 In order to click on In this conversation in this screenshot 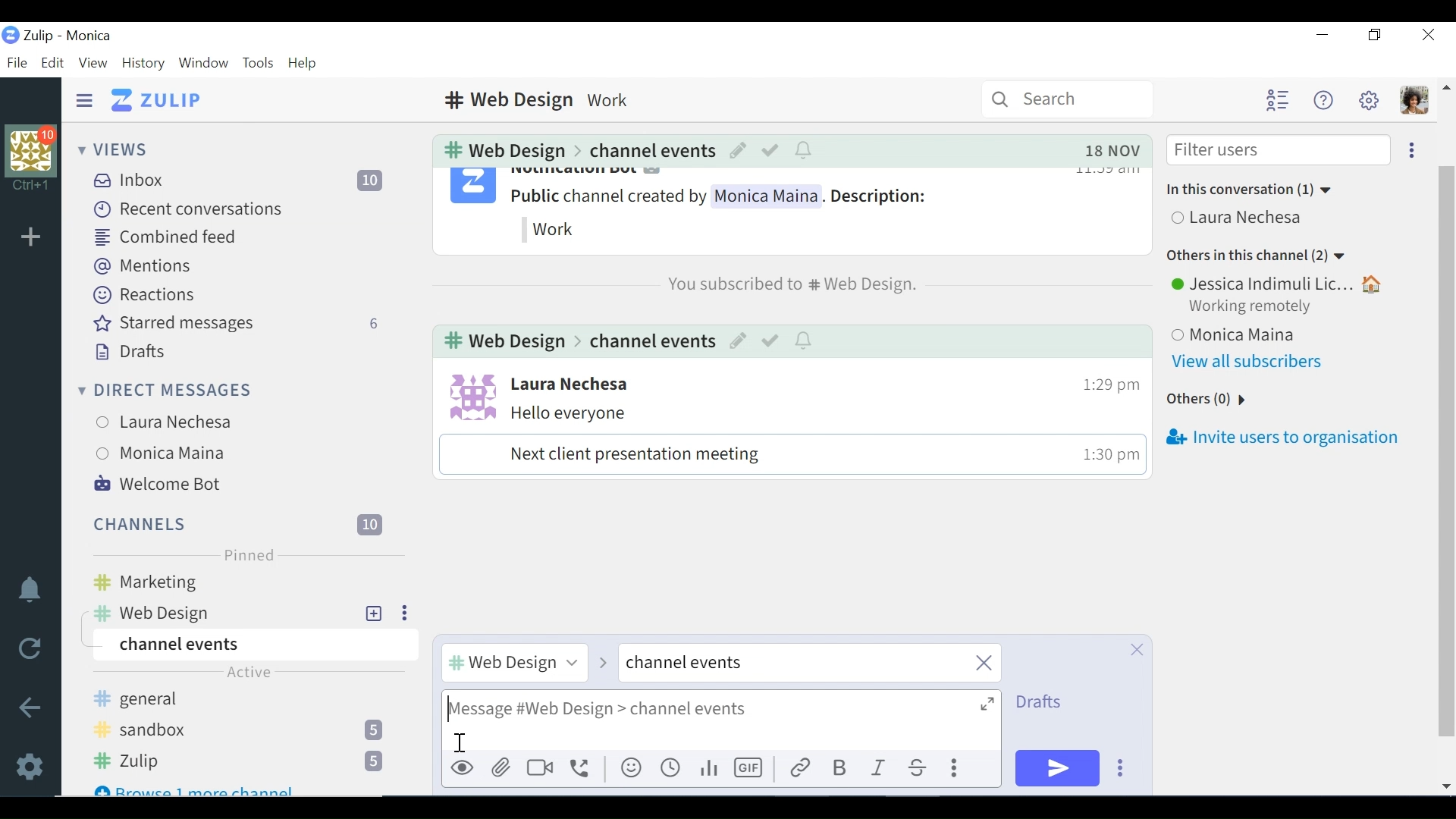, I will do `click(1252, 190)`.